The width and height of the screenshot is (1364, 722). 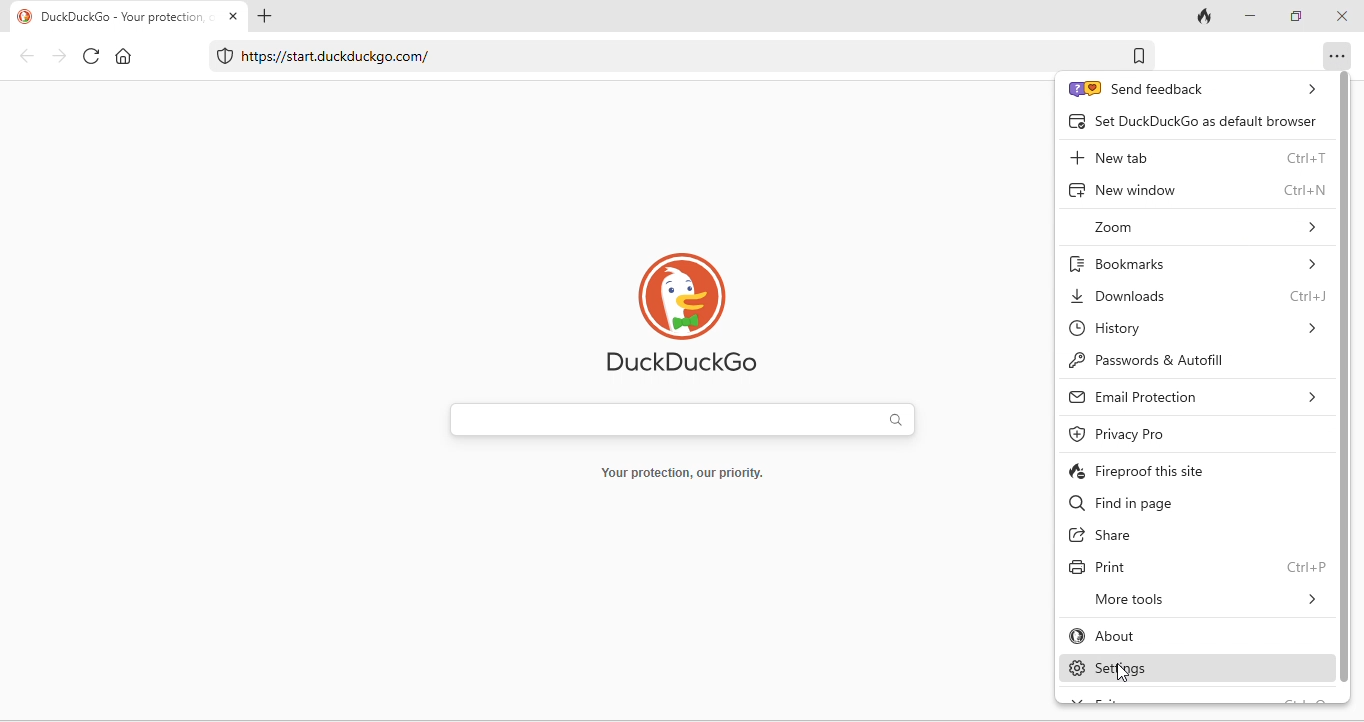 What do you see at coordinates (1148, 633) in the screenshot?
I see `about` at bounding box center [1148, 633].